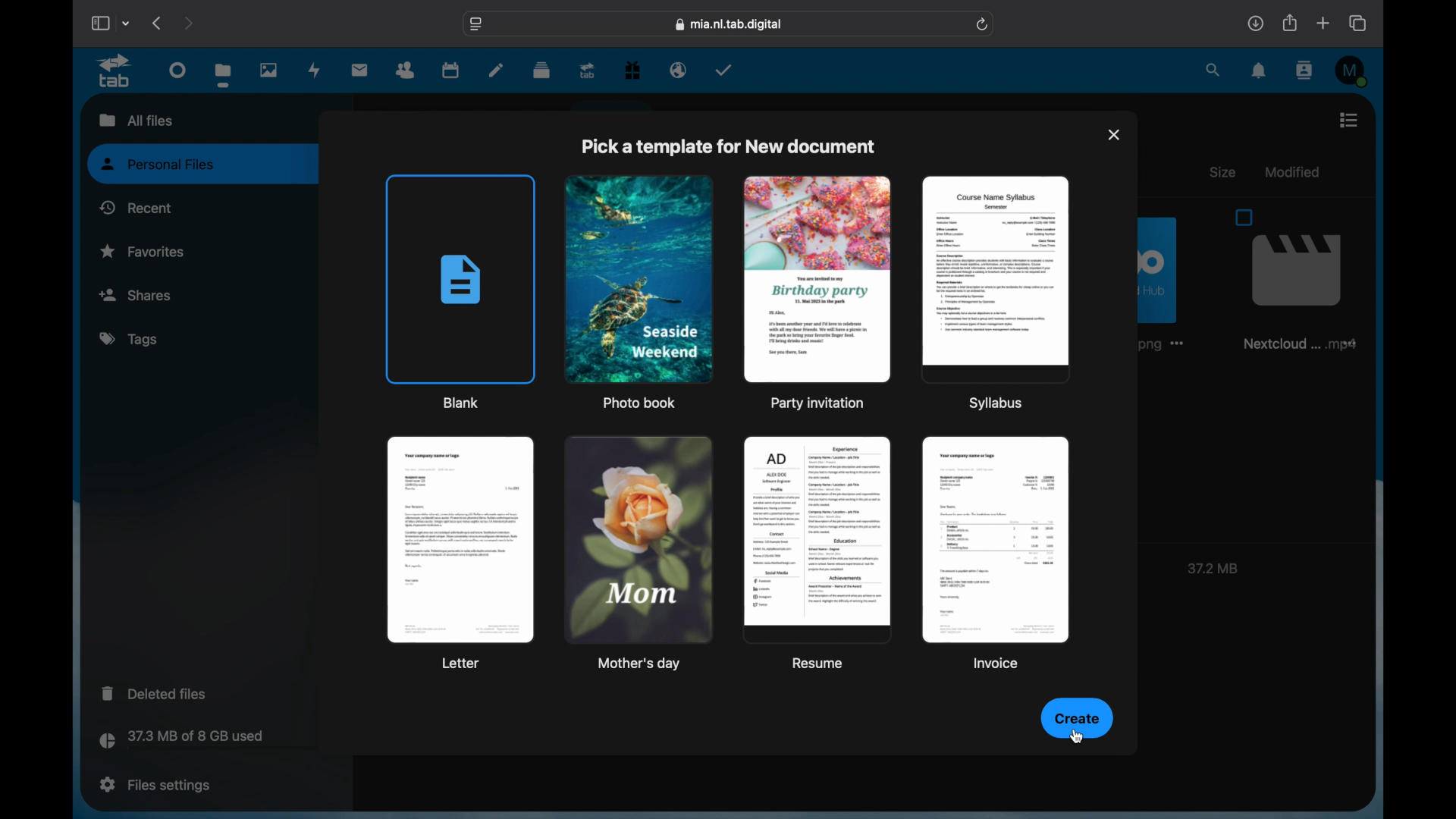  Describe the element at coordinates (155, 785) in the screenshot. I see `files settings` at that location.